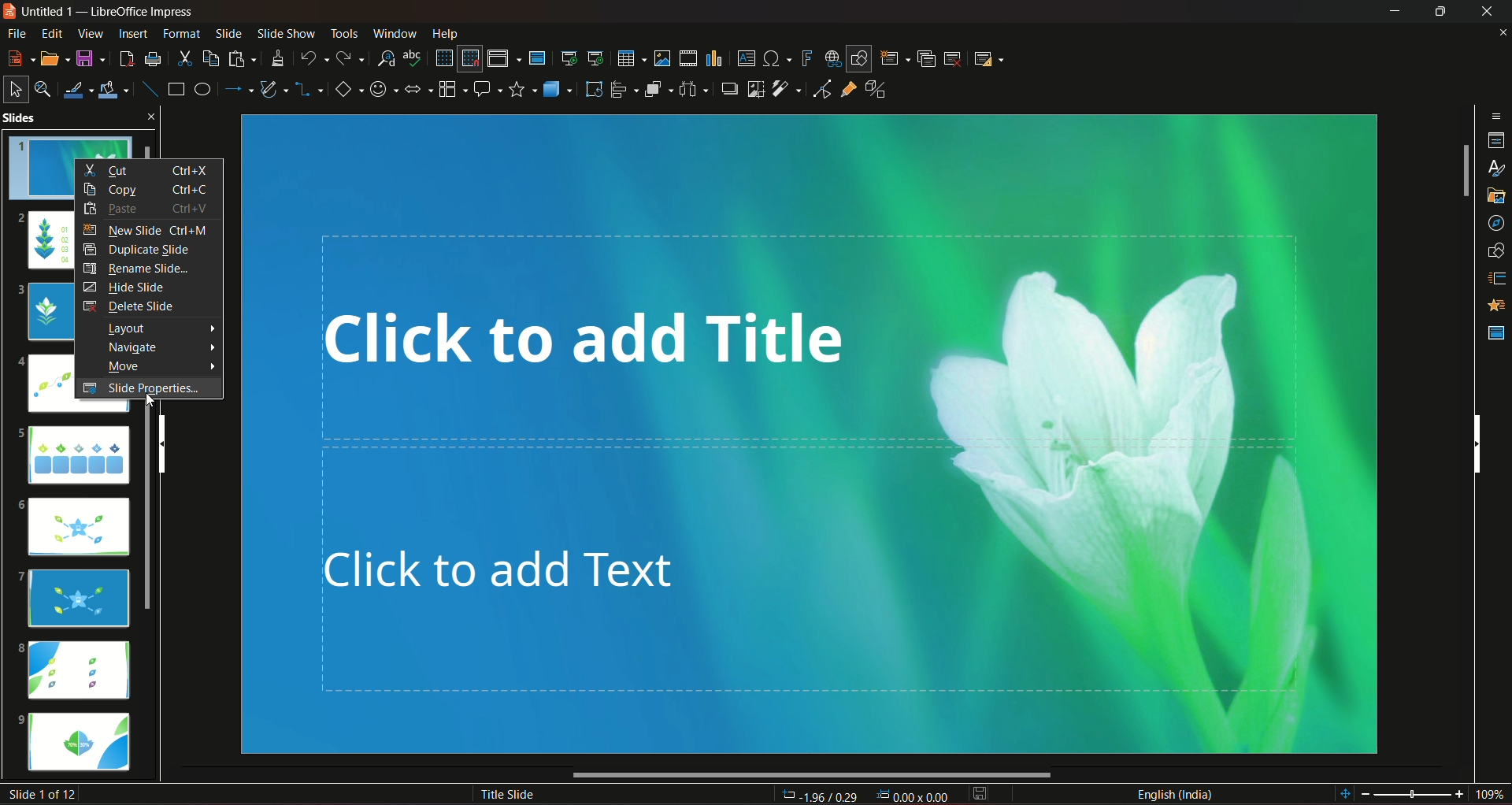 This screenshot has width=1512, height=805. Describe the element at coordinates (239, 89) in the screenshot. I see `line and arrow` at that location.